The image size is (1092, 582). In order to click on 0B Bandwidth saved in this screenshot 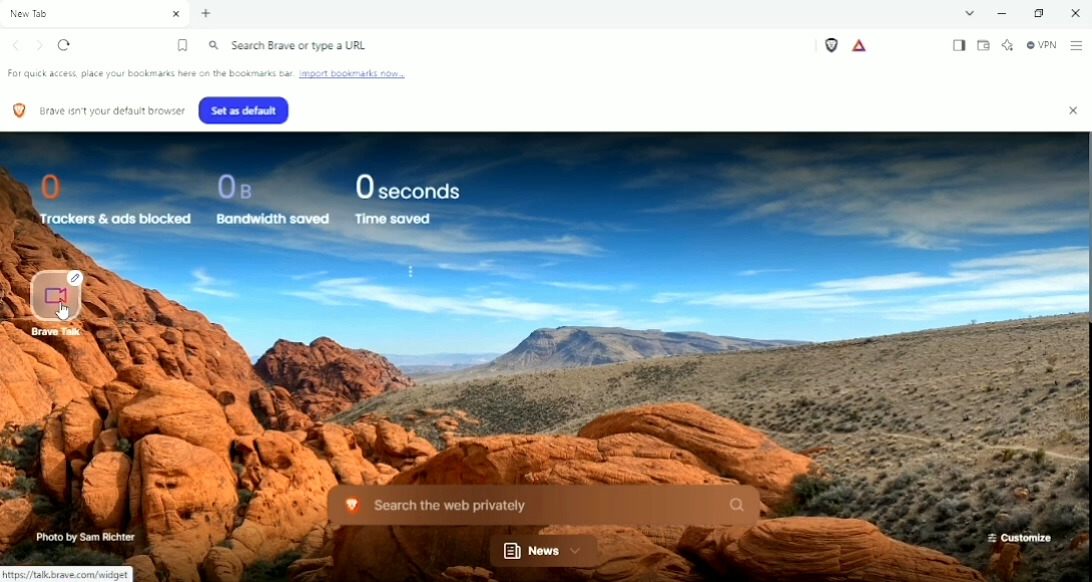, I will do `click(273, 197)`.